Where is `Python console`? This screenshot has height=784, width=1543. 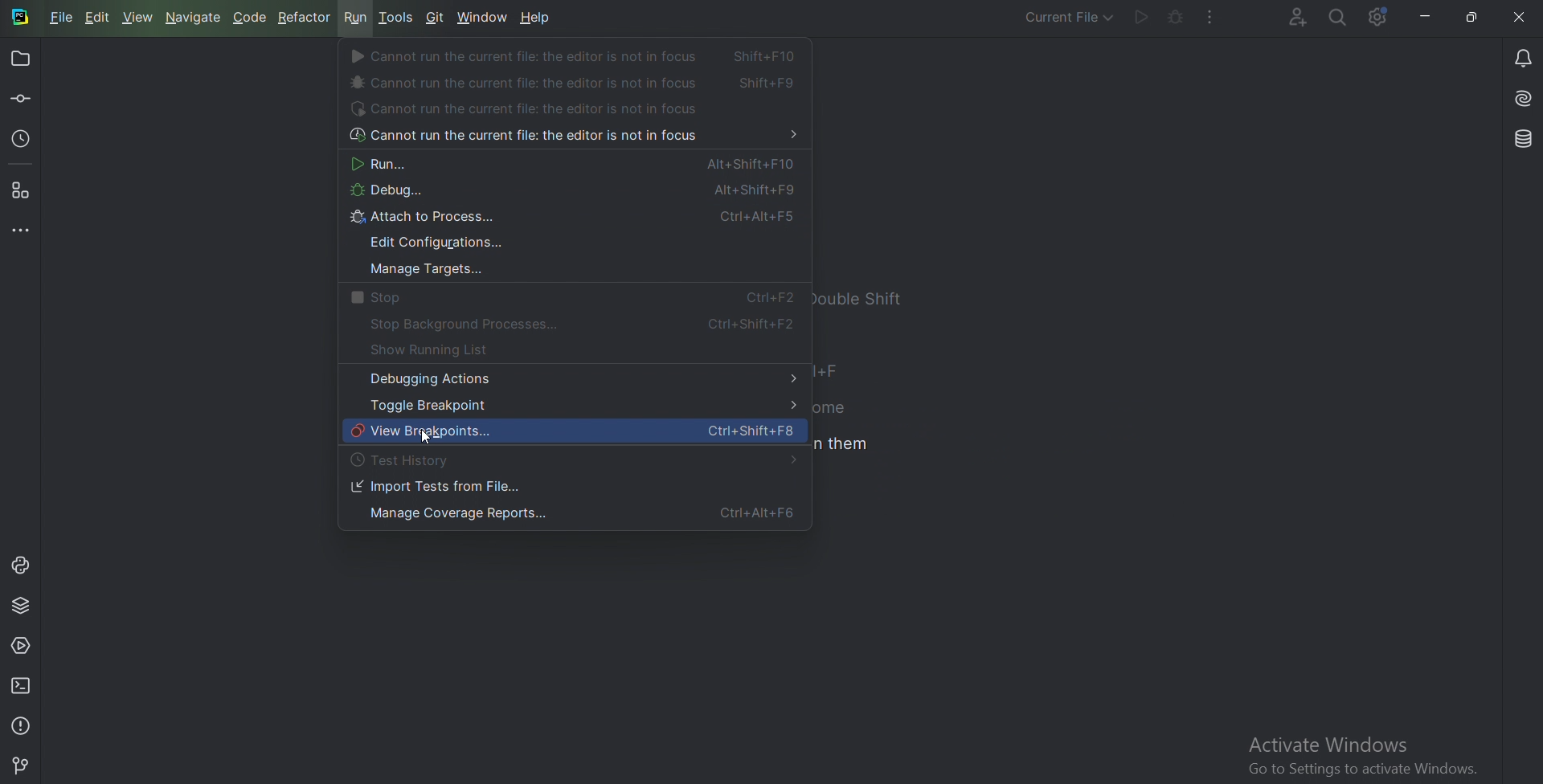 Python console is located at coordinates (20, 566).